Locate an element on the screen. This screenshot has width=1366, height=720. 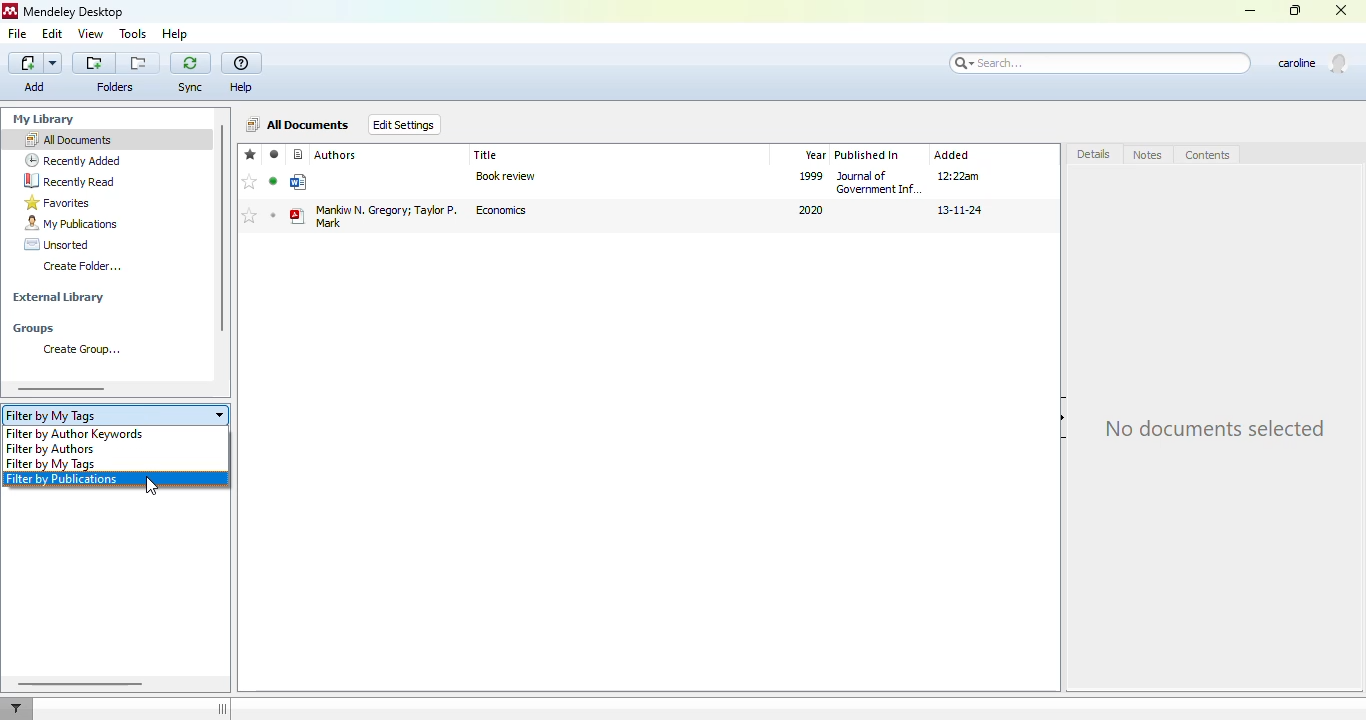
horizontal scroll bar is located at coordinates (62, 389).